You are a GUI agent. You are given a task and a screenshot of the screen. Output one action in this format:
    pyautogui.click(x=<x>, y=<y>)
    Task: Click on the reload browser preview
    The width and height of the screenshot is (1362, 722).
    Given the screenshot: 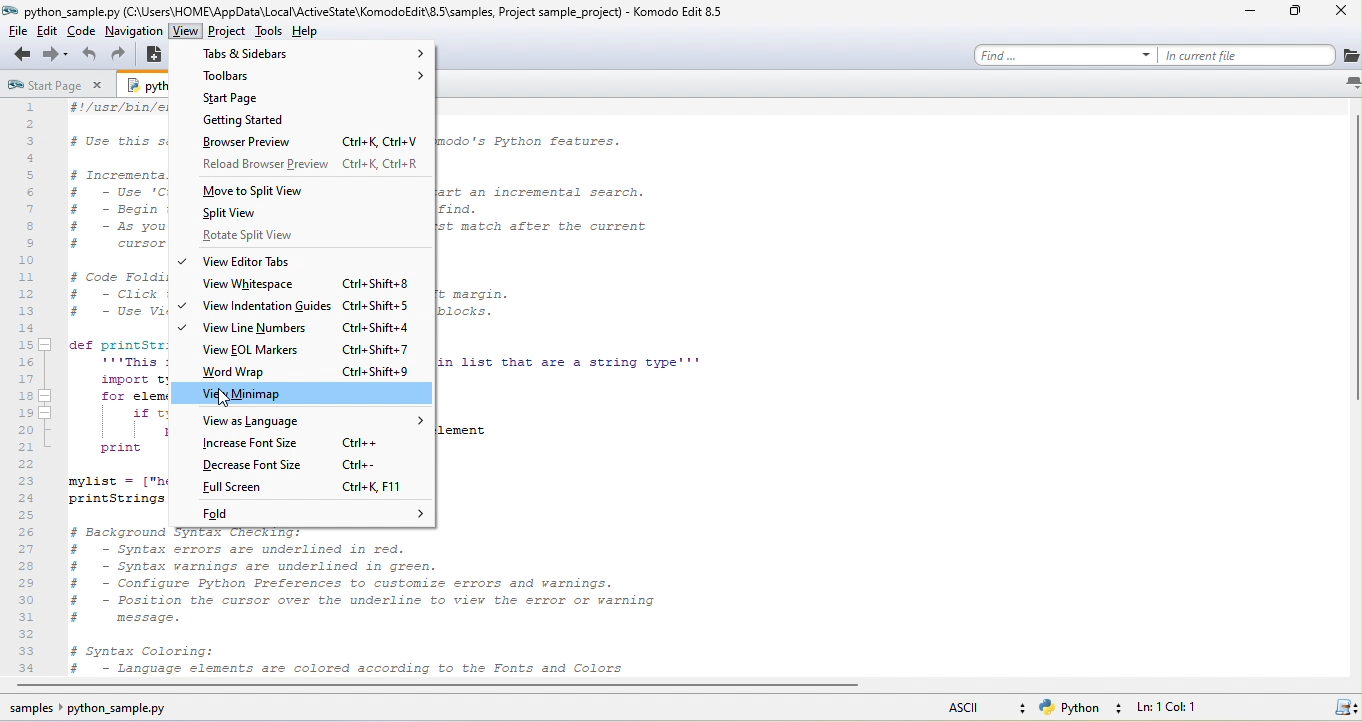 What is the action you would take?
    pyautogui.click(x=310, y=166)
    